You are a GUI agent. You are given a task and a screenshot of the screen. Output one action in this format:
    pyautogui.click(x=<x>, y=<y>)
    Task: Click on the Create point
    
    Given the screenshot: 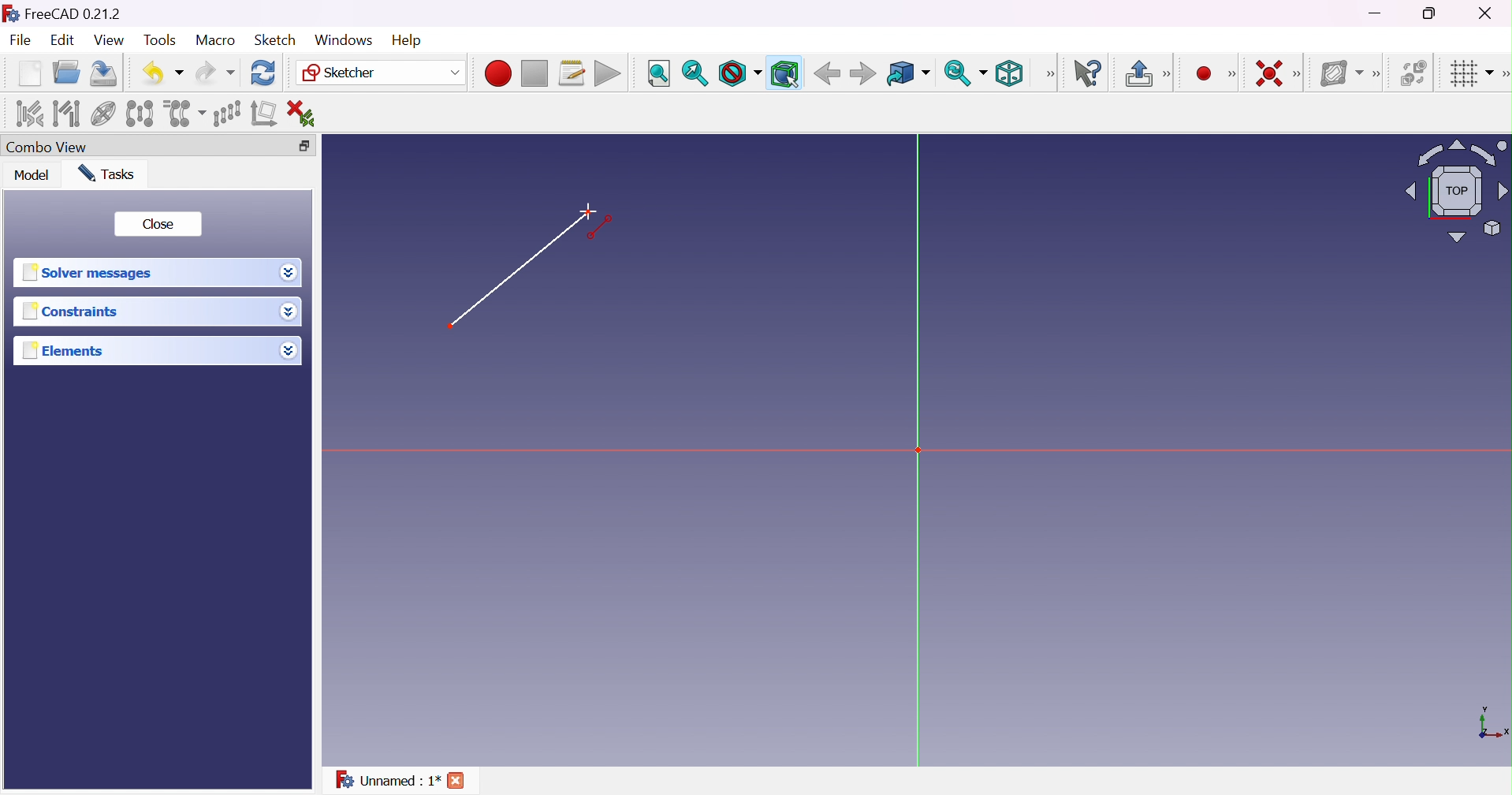 What is the action you would take?
    pyautogui.click(x=1201, y=72)
    